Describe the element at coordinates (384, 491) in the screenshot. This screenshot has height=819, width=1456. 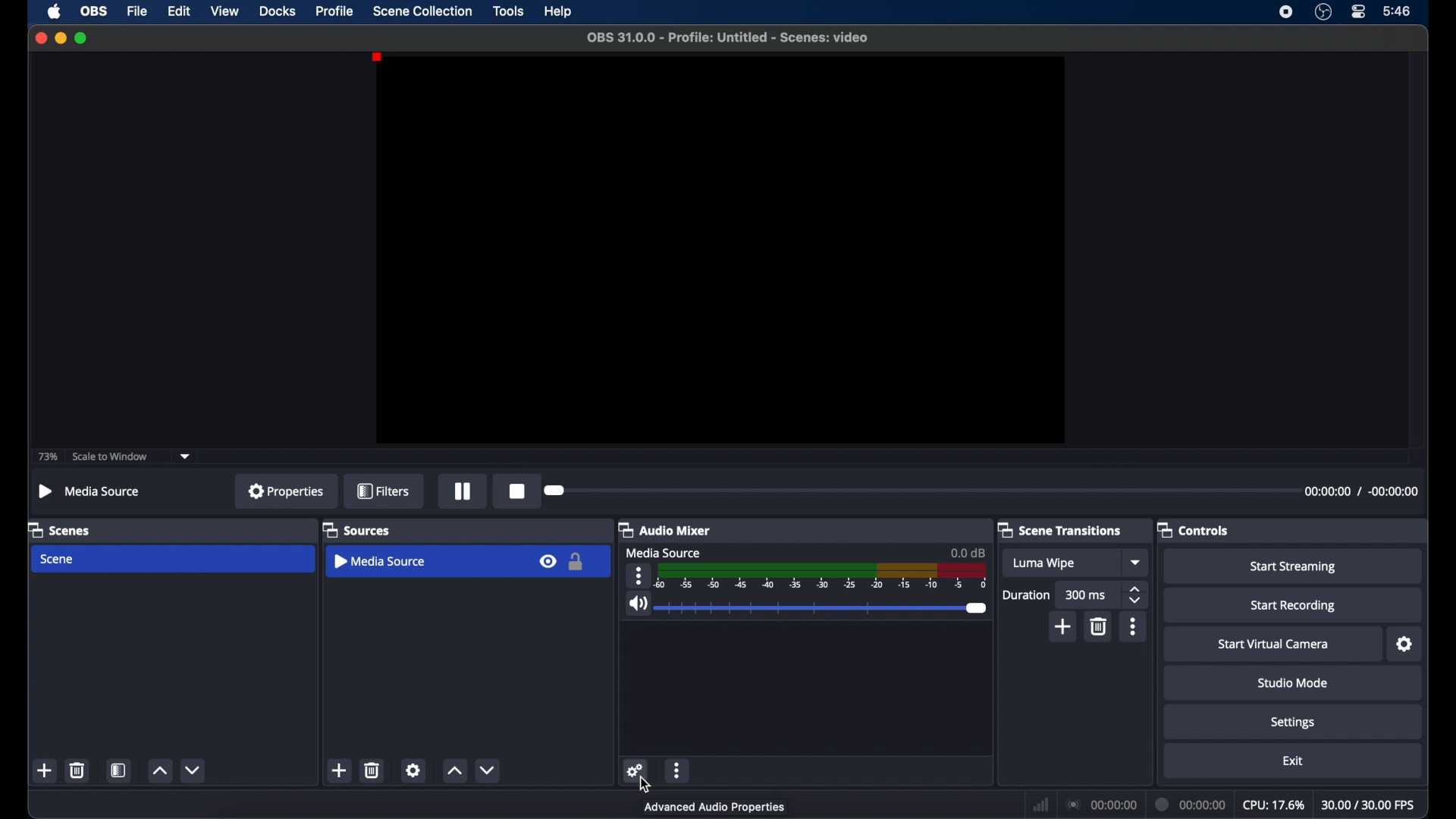
I see `filters` at that location.